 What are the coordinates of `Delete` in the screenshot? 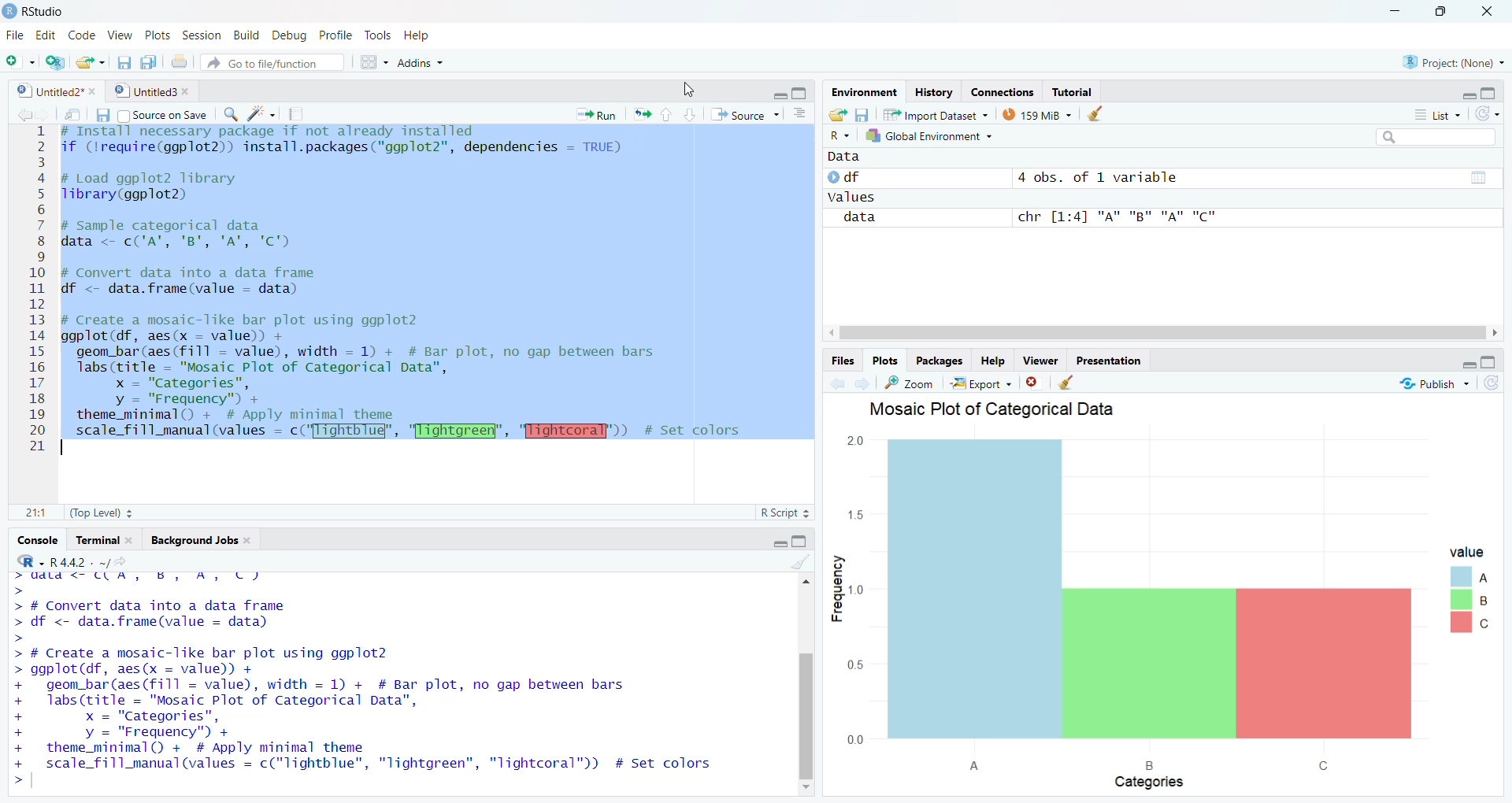 It's located at (1033, 383).